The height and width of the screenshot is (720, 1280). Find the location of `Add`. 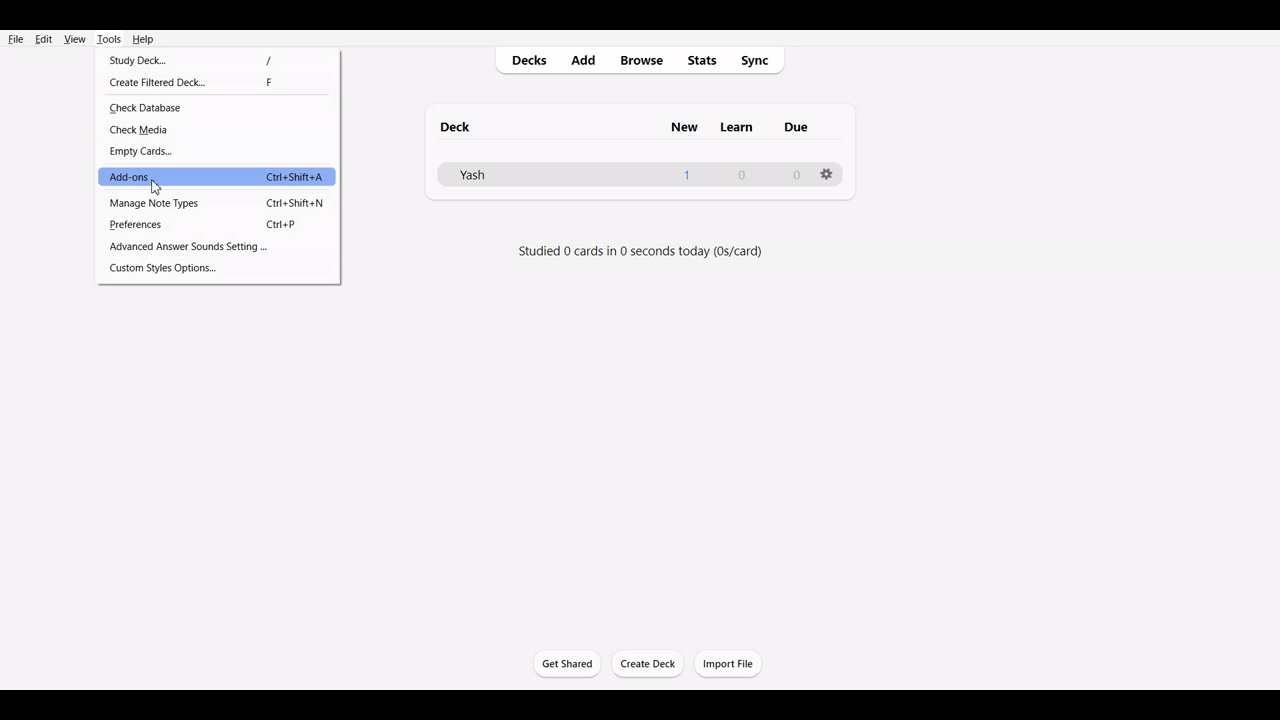

Add is located at coordinates (587, 60).